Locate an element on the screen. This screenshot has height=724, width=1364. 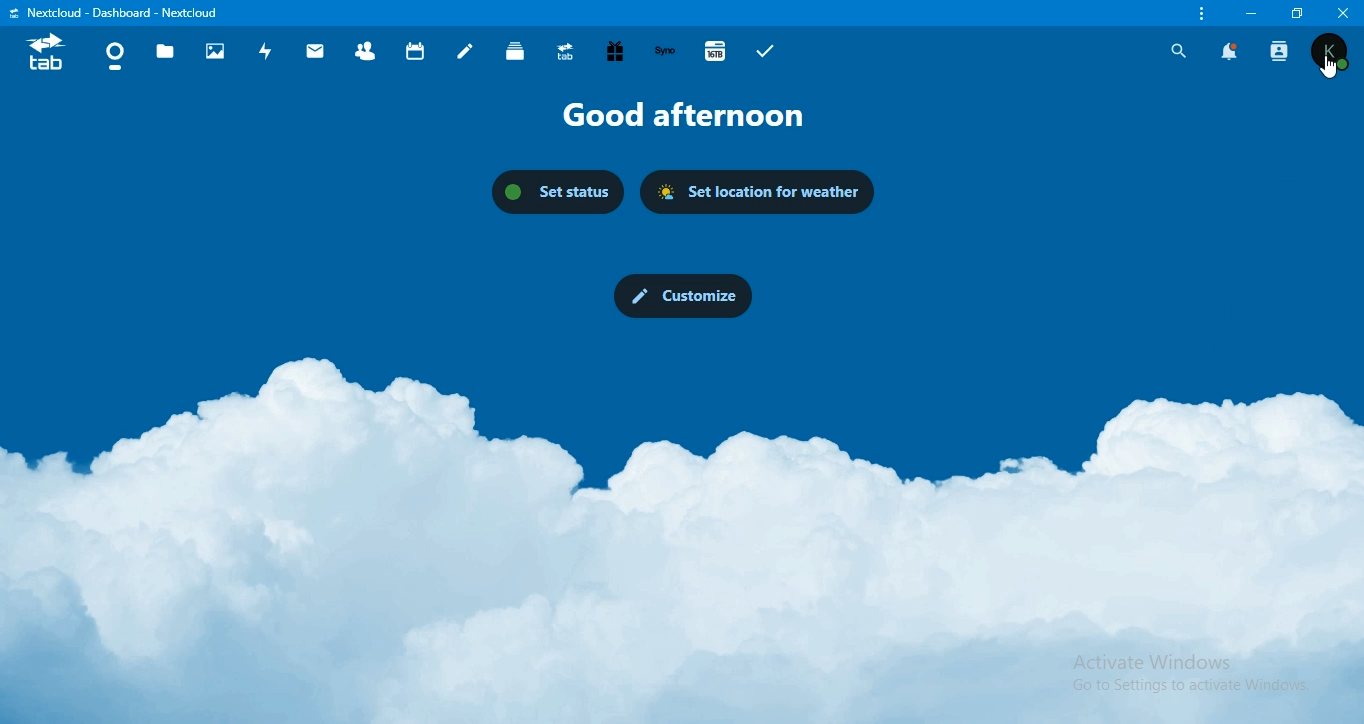
close is located at coordinates (1344, 12).